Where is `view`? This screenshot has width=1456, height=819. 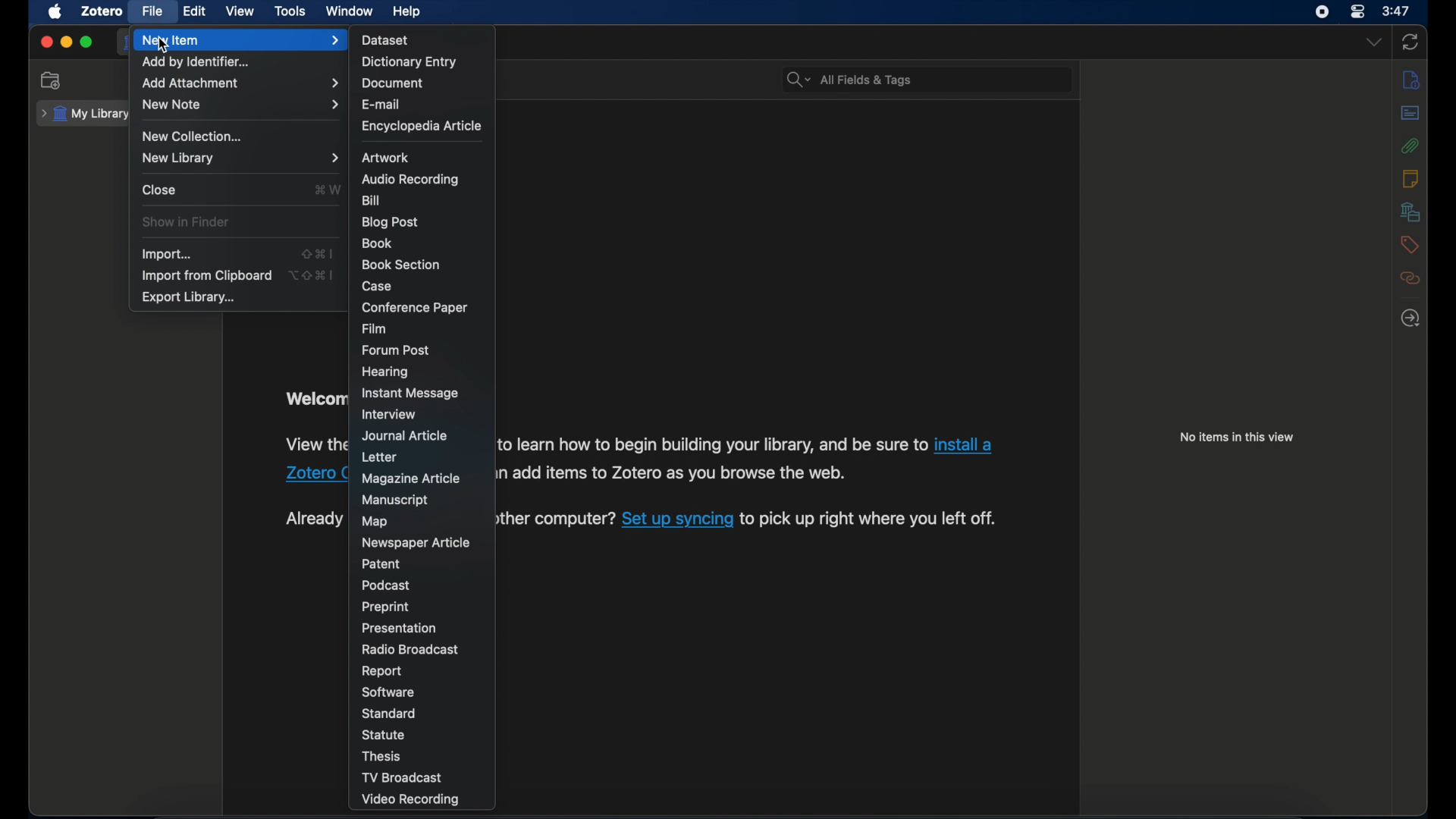 view is located at coordinates (241, 11).